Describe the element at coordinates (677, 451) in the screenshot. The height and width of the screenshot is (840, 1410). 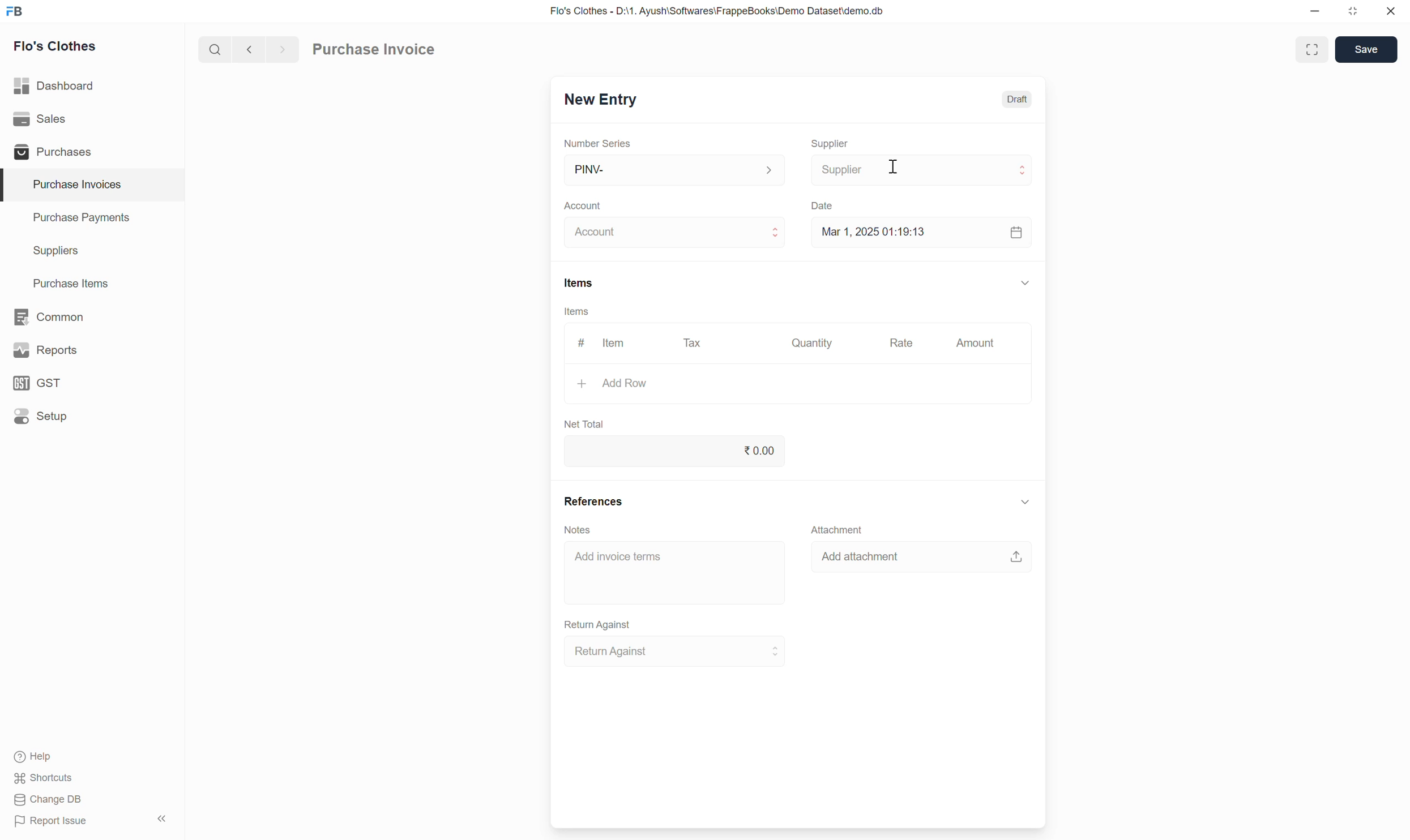
I see `0.00` at that location.